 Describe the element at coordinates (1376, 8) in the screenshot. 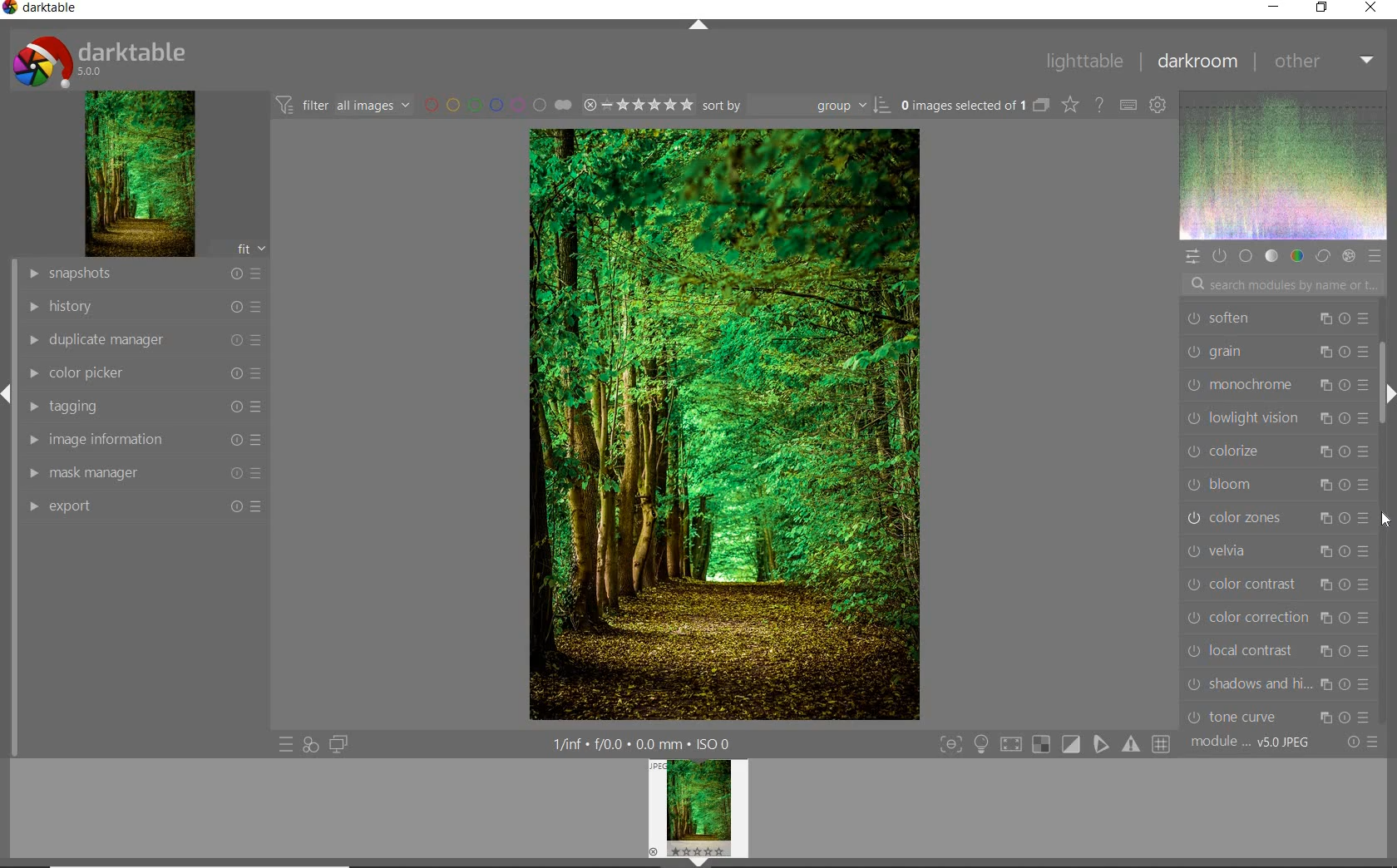

I see `CLOSE` at that location.